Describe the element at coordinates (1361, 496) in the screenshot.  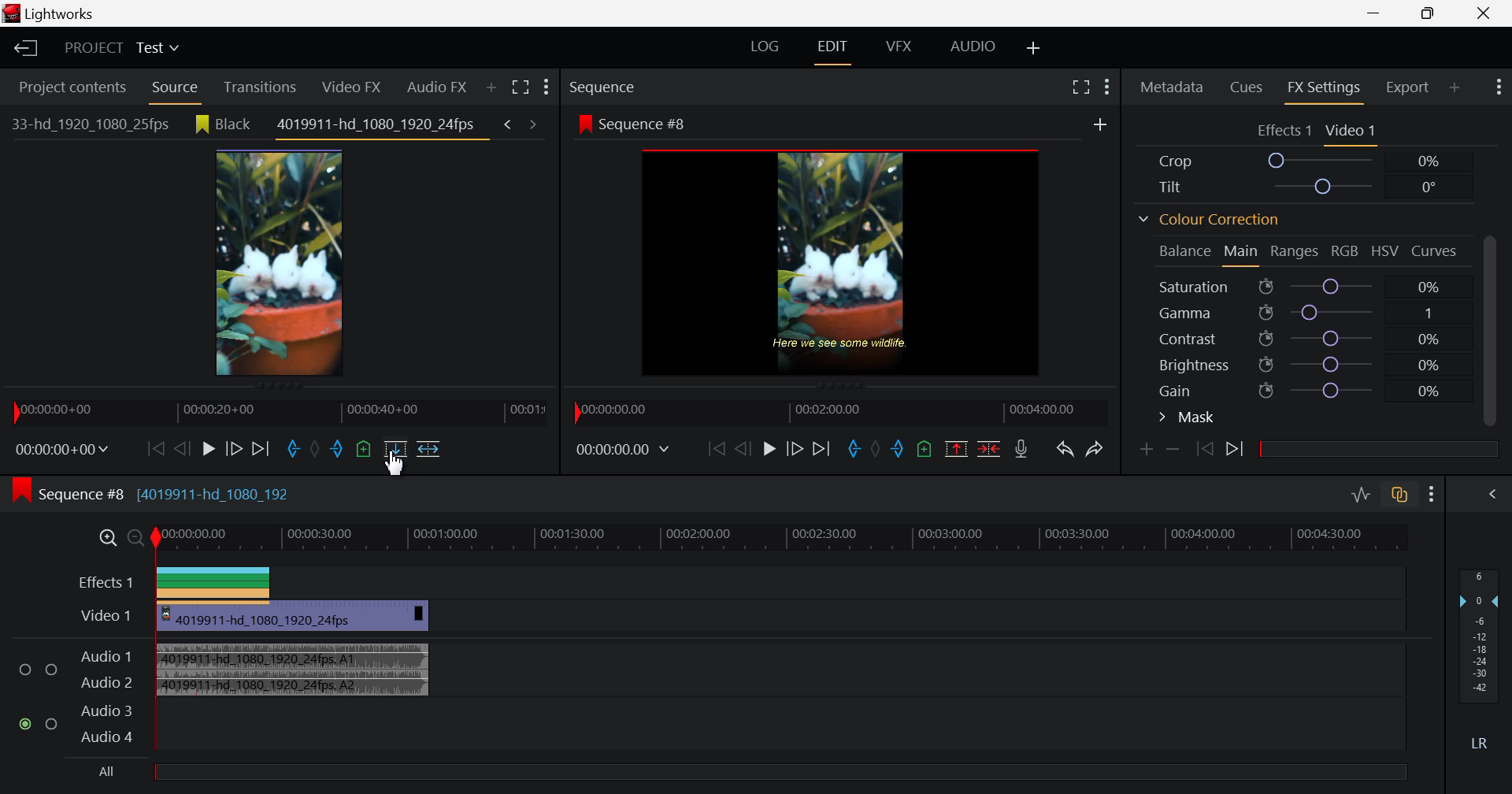
I see `Toggle Audio Levels Editing` at that location.